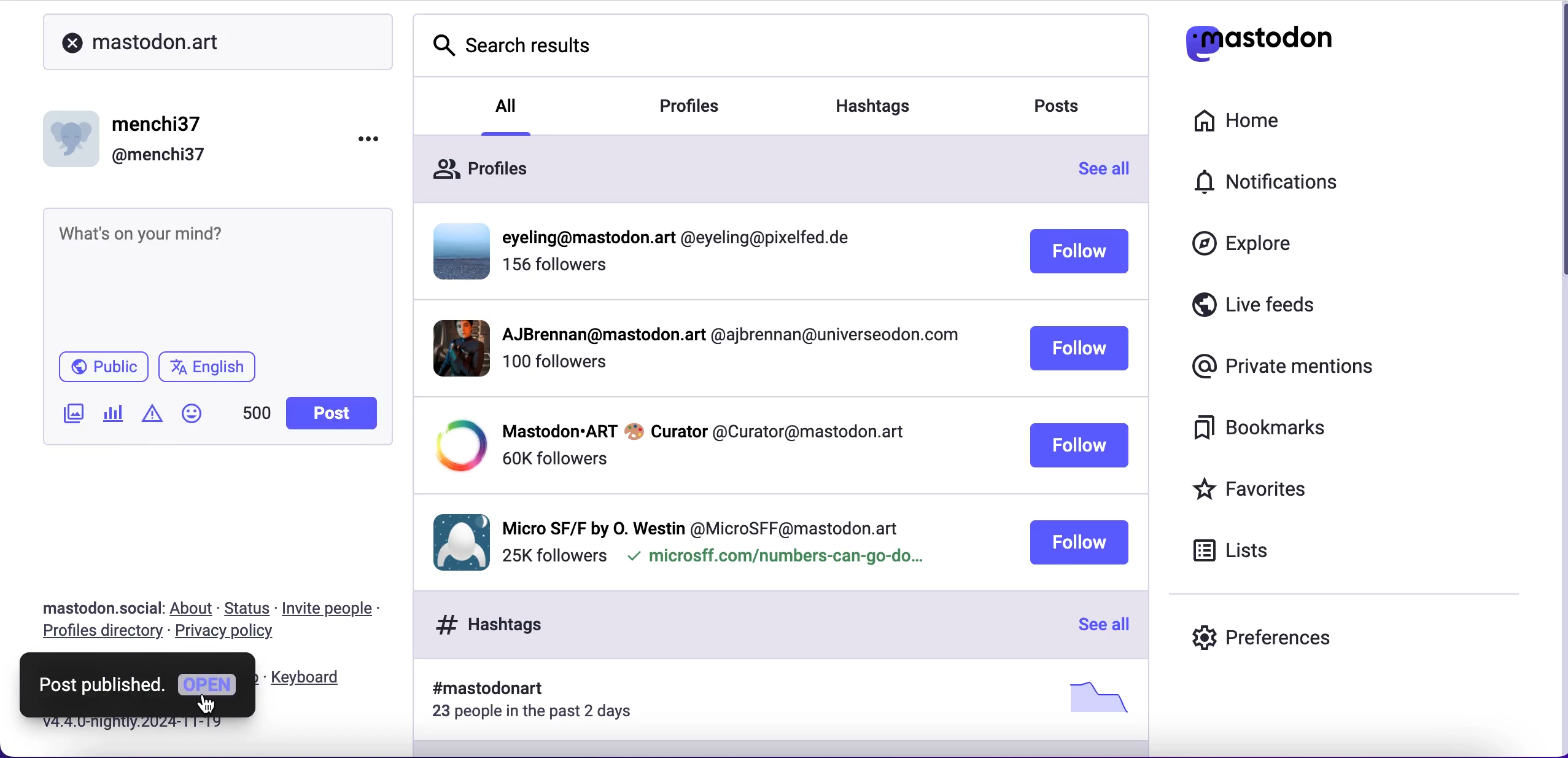  Describe the element at coordinates (114, 415) in the screenshot. I see `add poll` at that location.